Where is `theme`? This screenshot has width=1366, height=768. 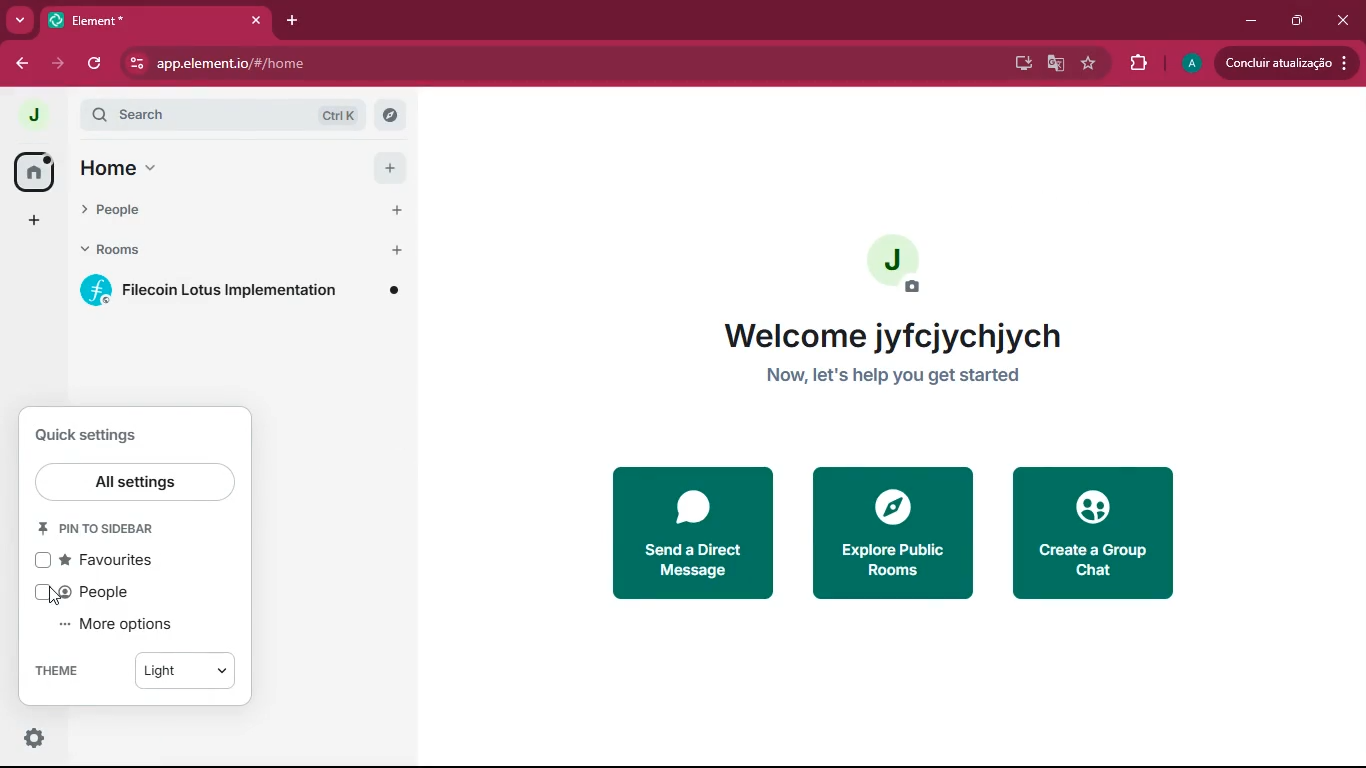
theme is located at coordinates (60, 670).